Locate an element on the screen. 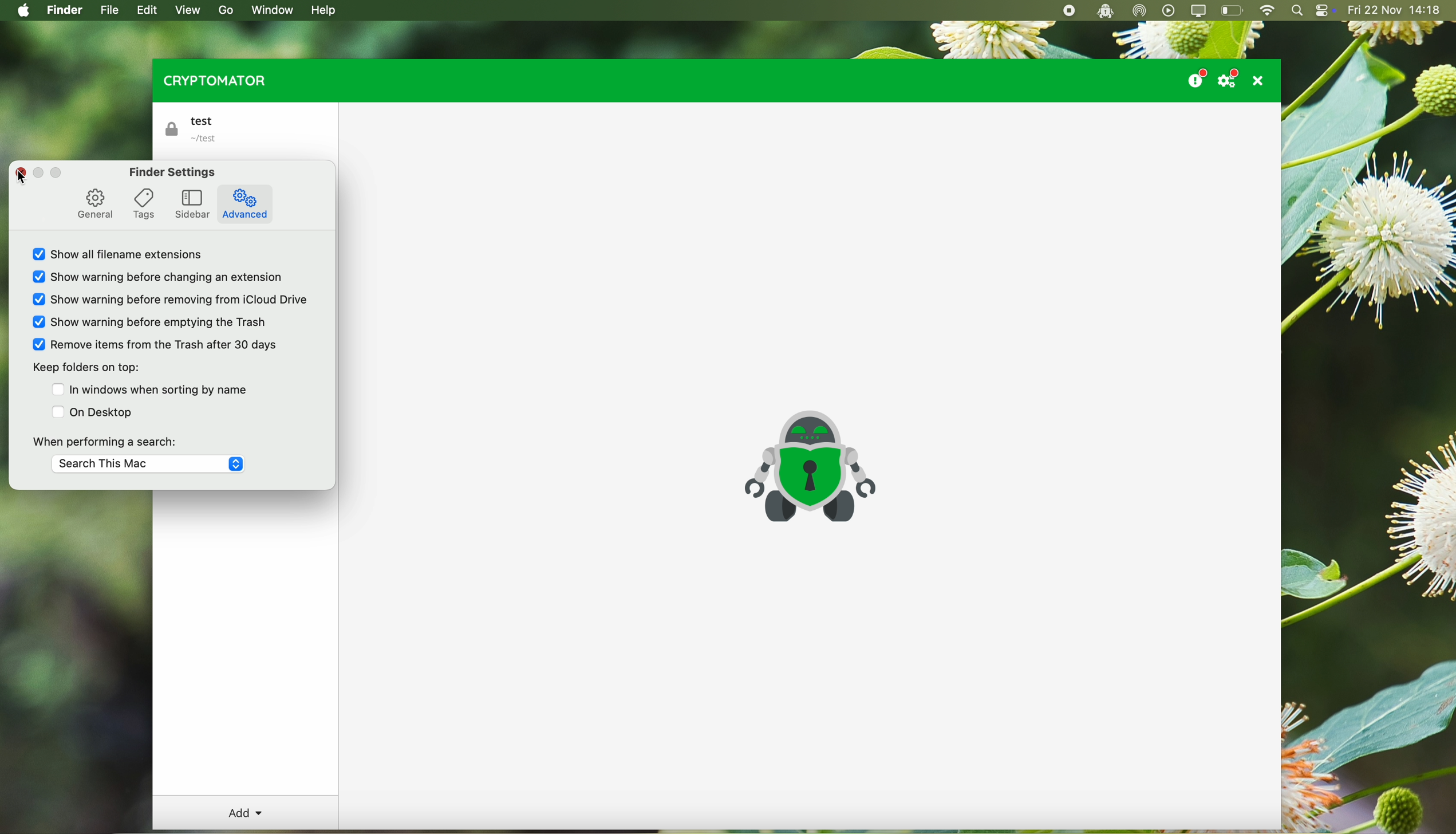 Image resolution: width=1456 pixels, height=834 pixels. show warning before changing an extension is located at coordinates (162, 279).